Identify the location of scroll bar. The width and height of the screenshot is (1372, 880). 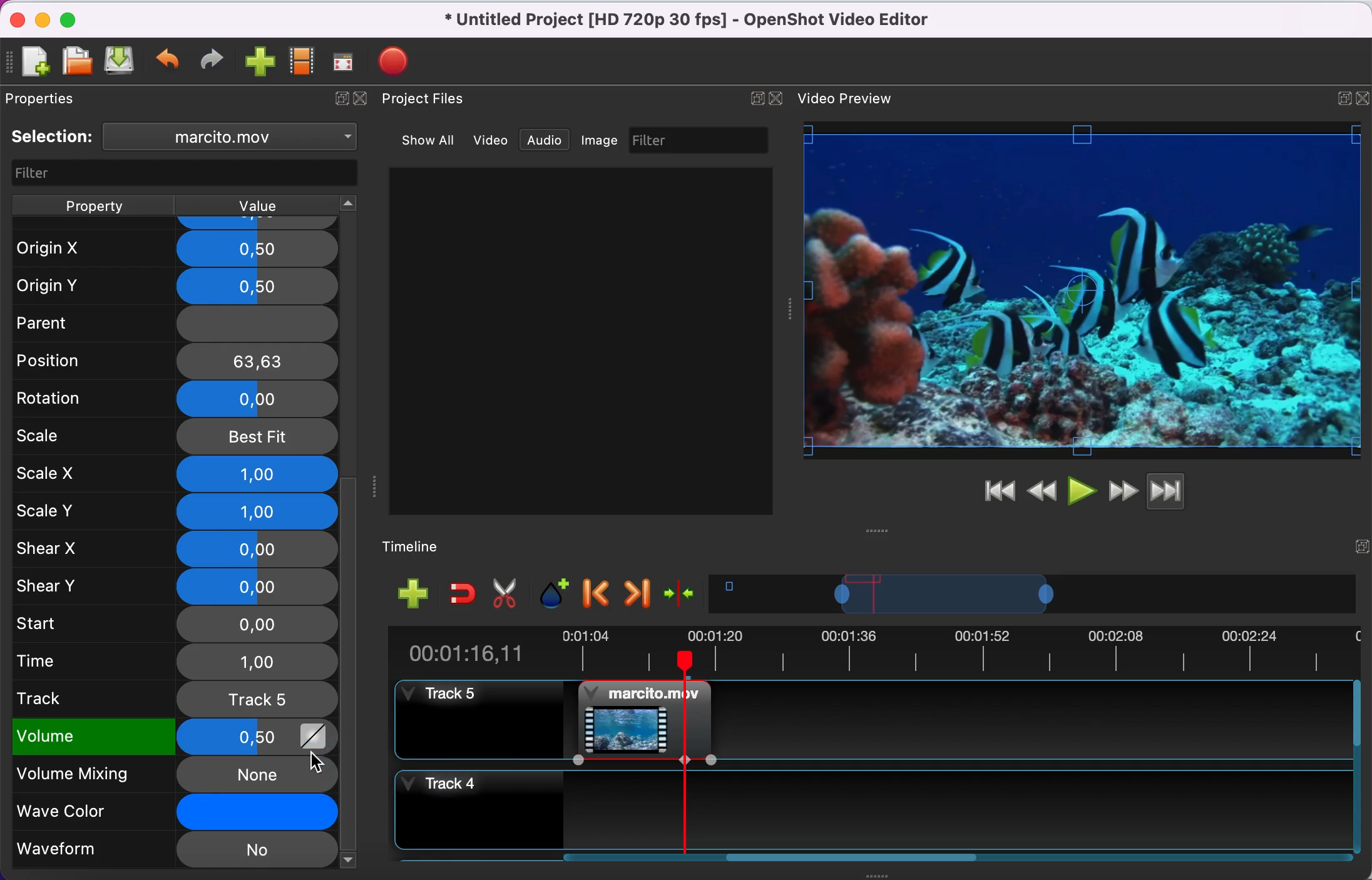
(846, 861).